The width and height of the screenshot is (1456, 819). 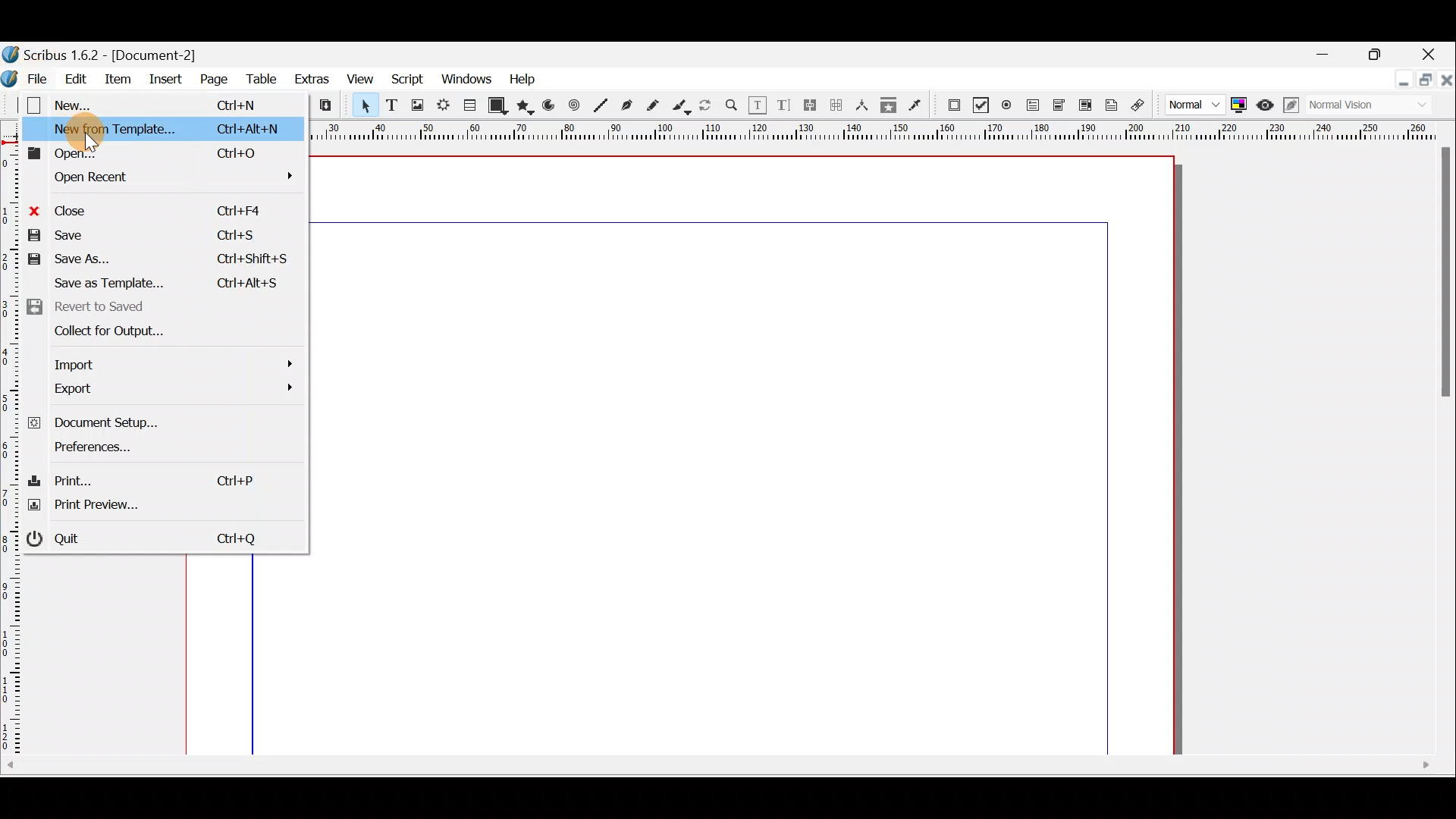 I want to click on Image frame, so click(x=417, y=108).